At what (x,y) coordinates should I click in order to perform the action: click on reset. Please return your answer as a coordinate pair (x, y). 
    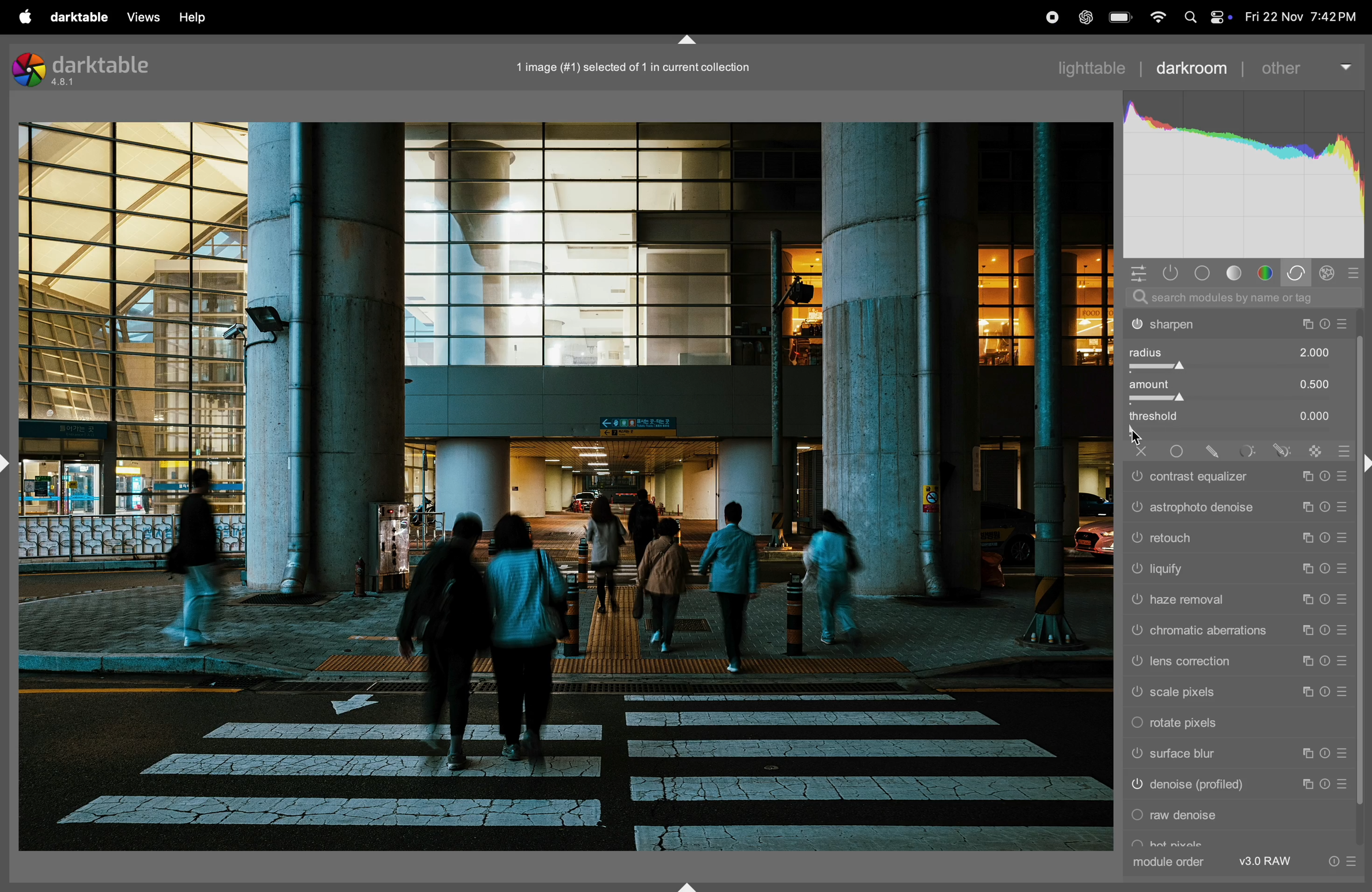
    Looking at the image, I should click on (1341, 448).